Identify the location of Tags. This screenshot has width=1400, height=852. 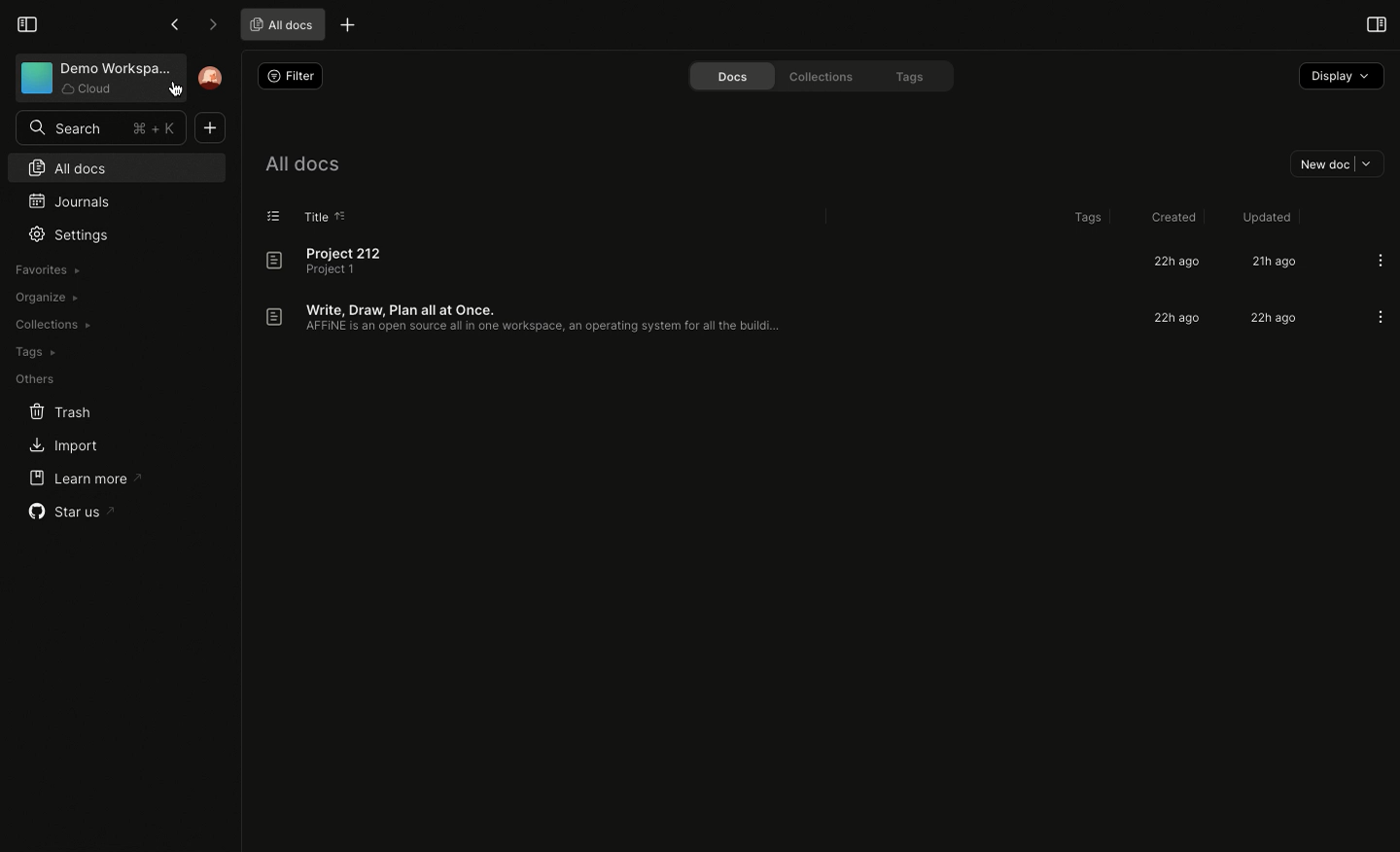
(911, 76).